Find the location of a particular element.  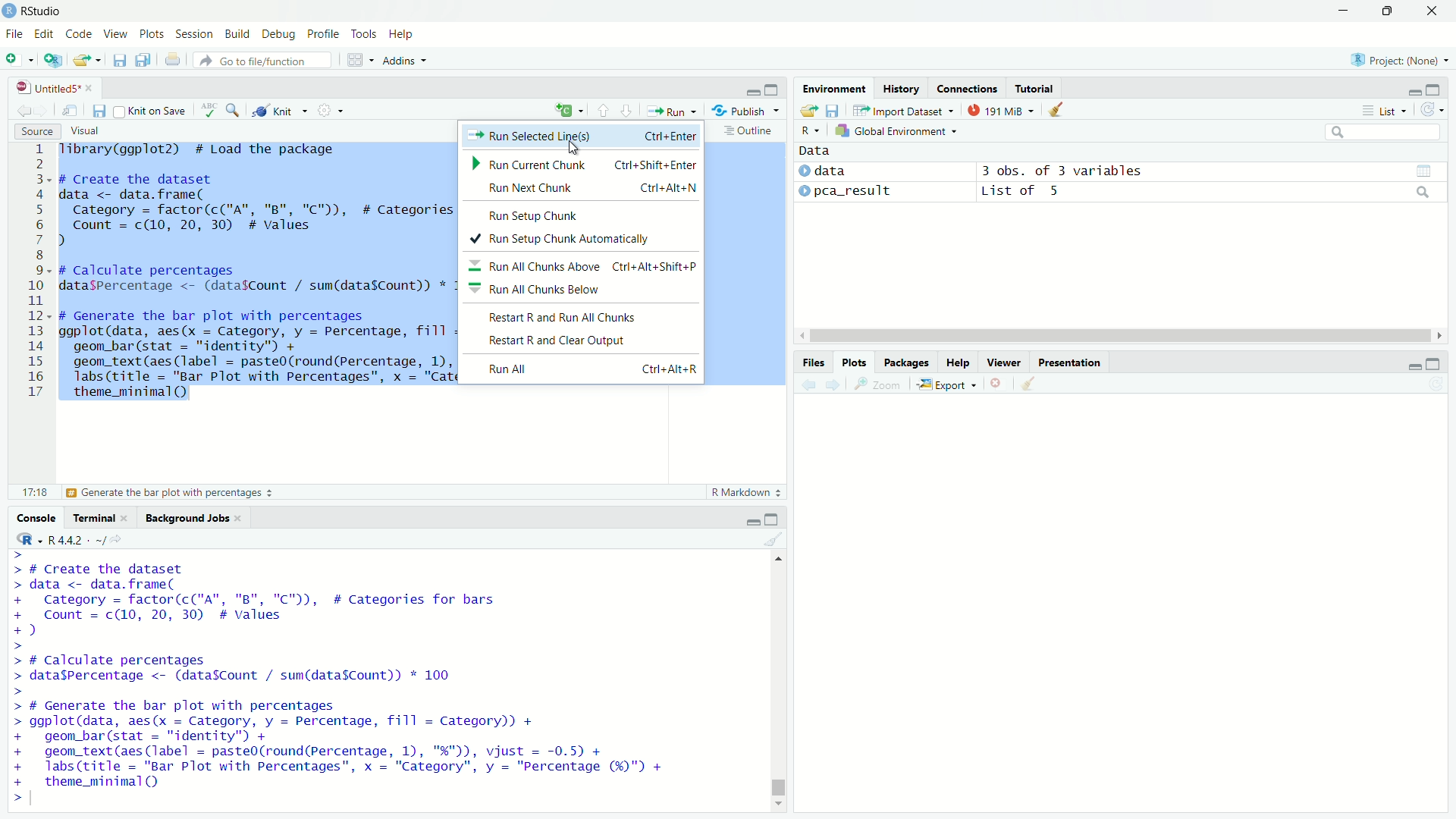

run all is located at coordinates (588, 367).